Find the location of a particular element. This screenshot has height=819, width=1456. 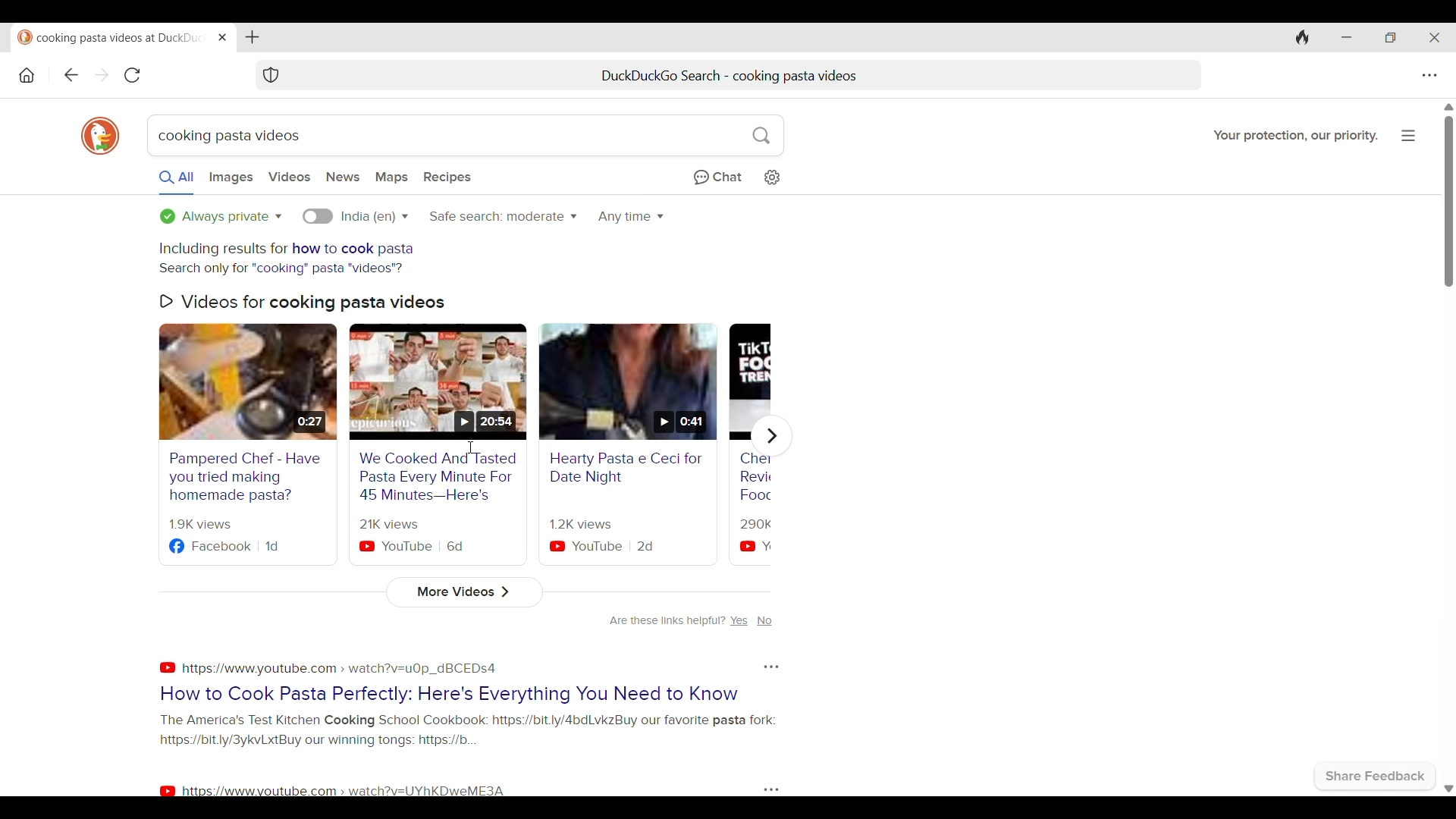

Are these links helpful? is located at coordinates (664, 621).